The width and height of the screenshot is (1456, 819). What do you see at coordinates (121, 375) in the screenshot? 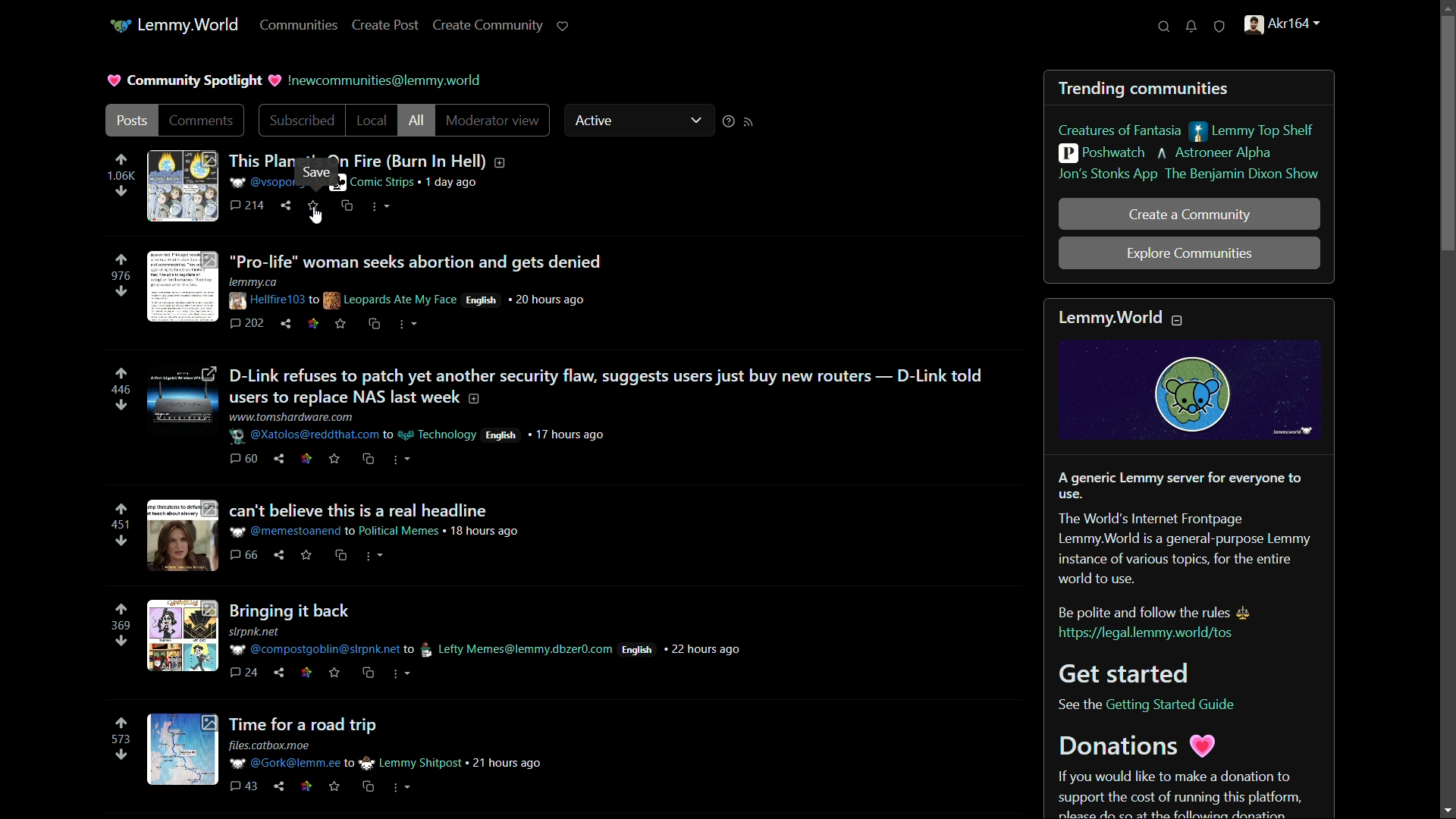
I see `upvote` at bounding box center [121, 375].